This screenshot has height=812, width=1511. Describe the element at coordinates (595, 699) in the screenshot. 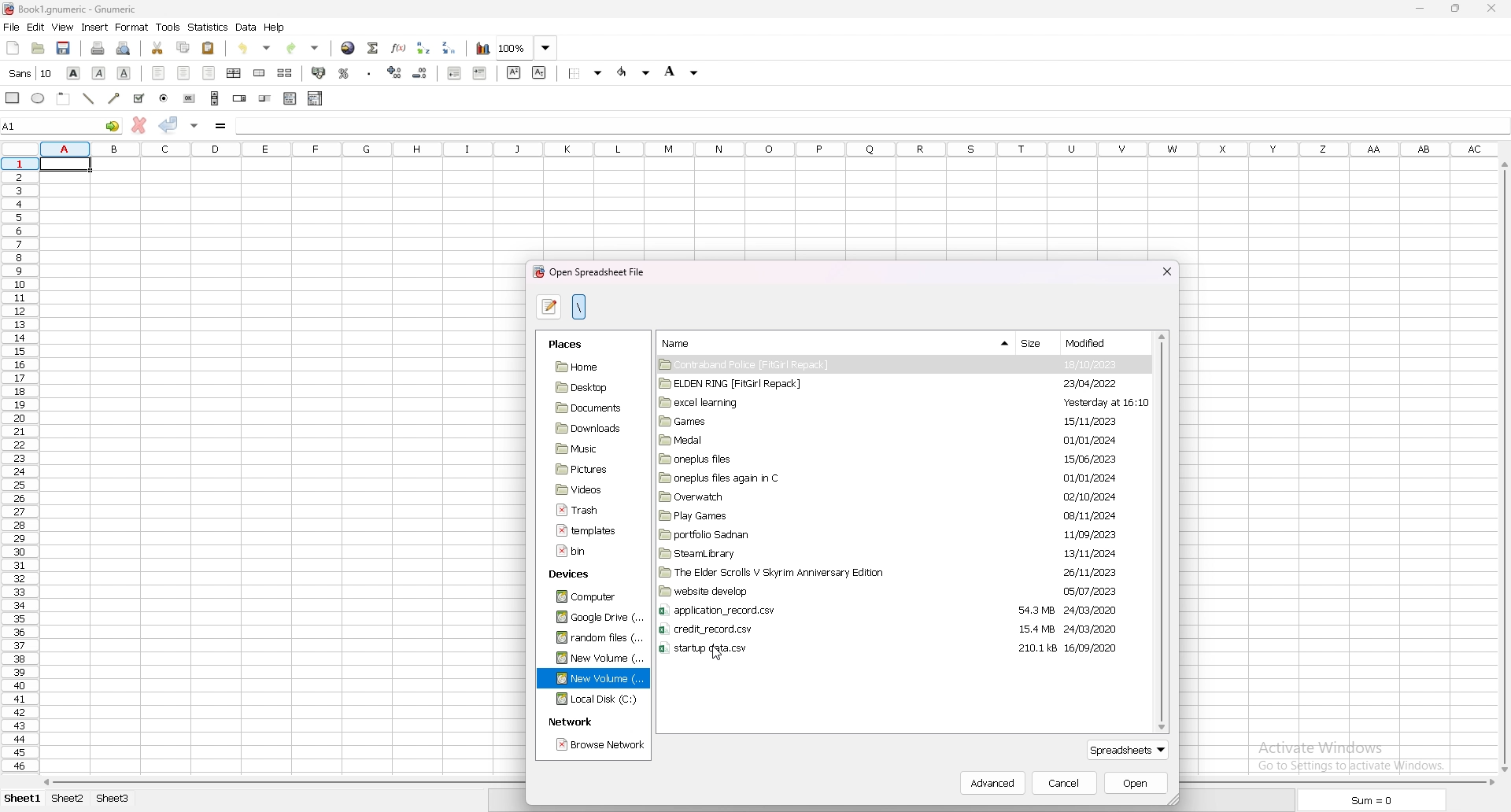

I see `folder` at that location.